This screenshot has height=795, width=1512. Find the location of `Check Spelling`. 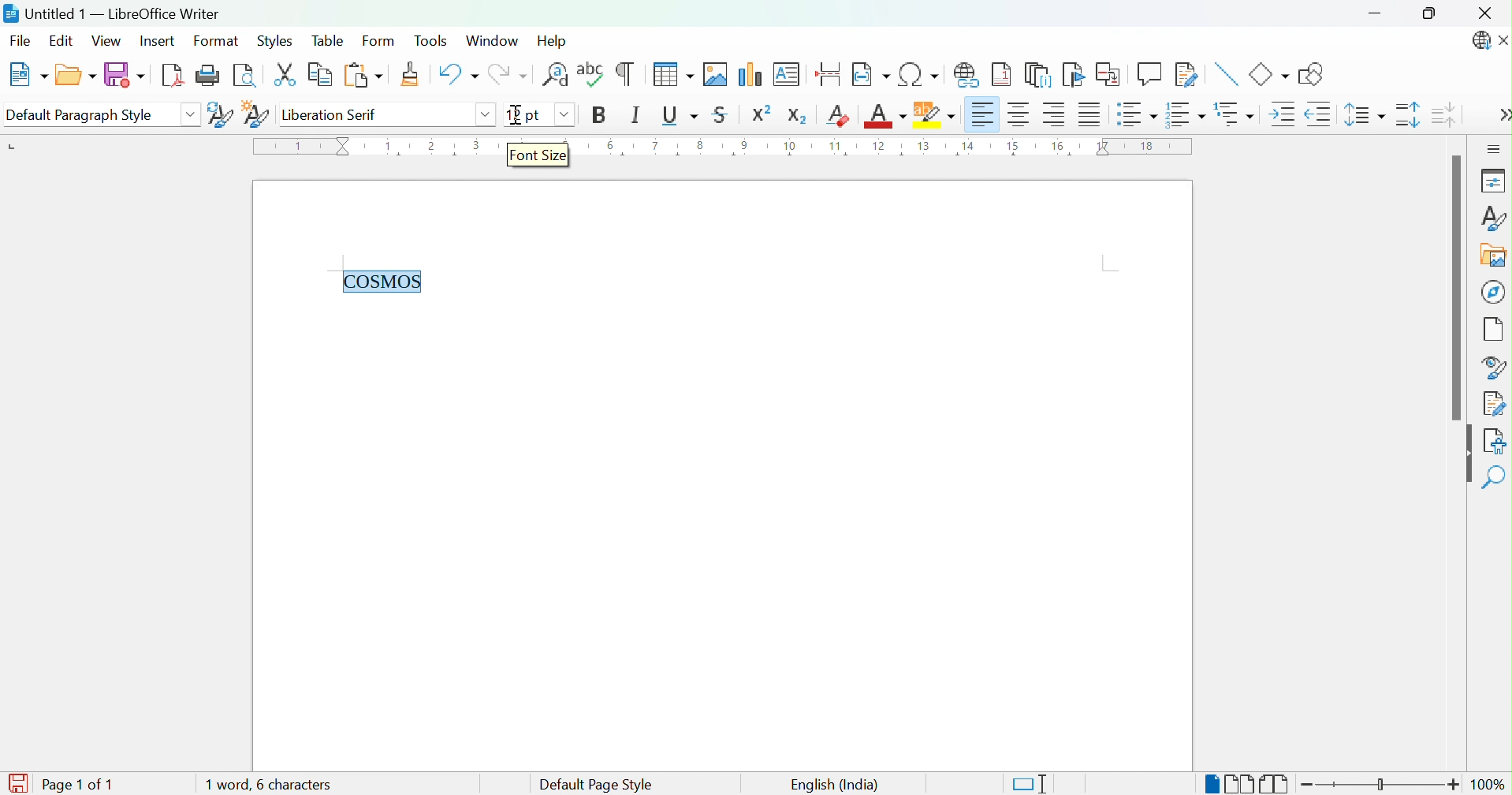

Check Spelling is located at coordinates (591, 73).